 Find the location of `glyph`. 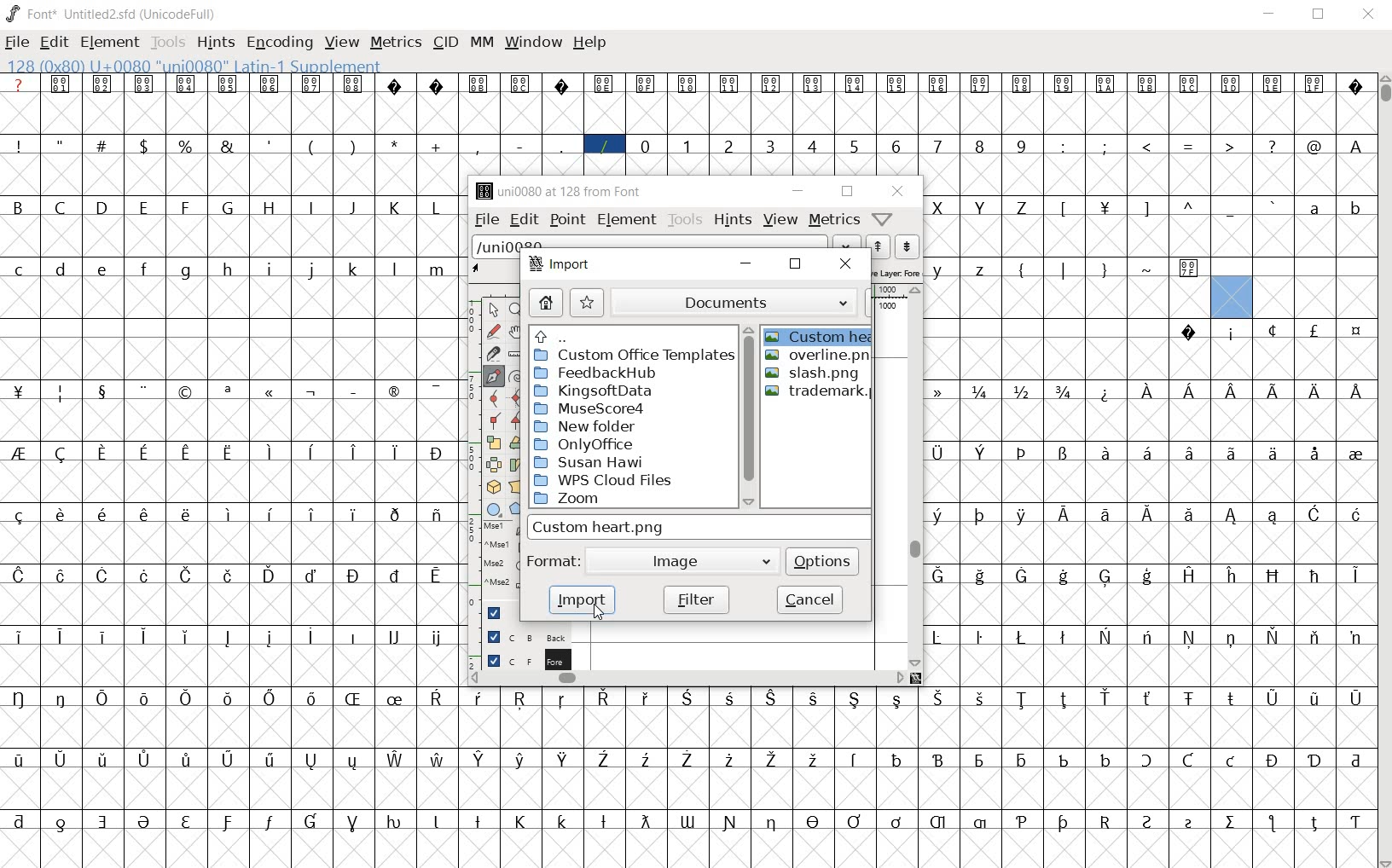

glyph is located at coordinates (19, 146).